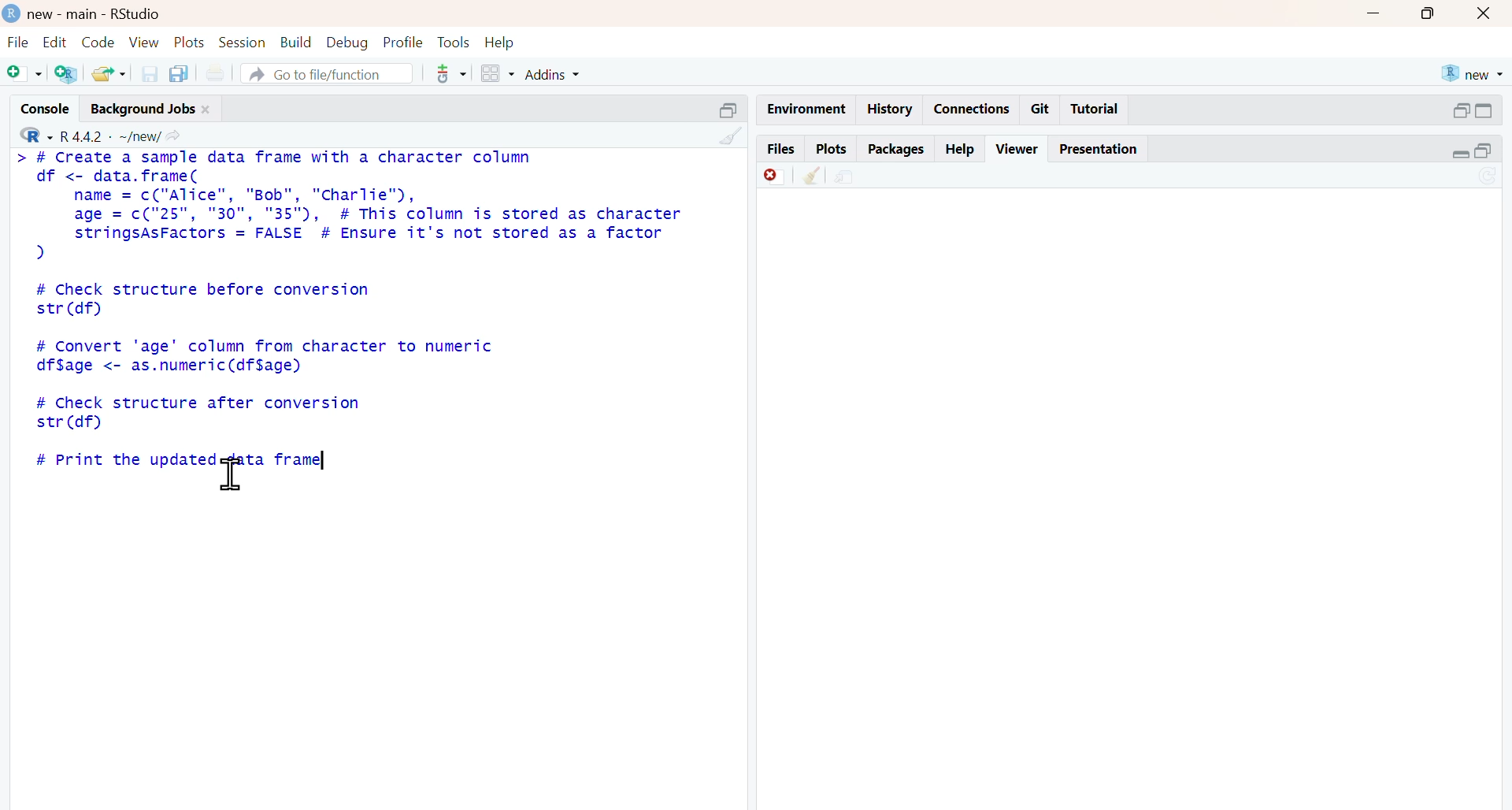 The image size is (1512, 810). What do you see at coordinates (1095, 108) in the screenshot?
I see `Tutorial ` at bounding box center [1095, 108].